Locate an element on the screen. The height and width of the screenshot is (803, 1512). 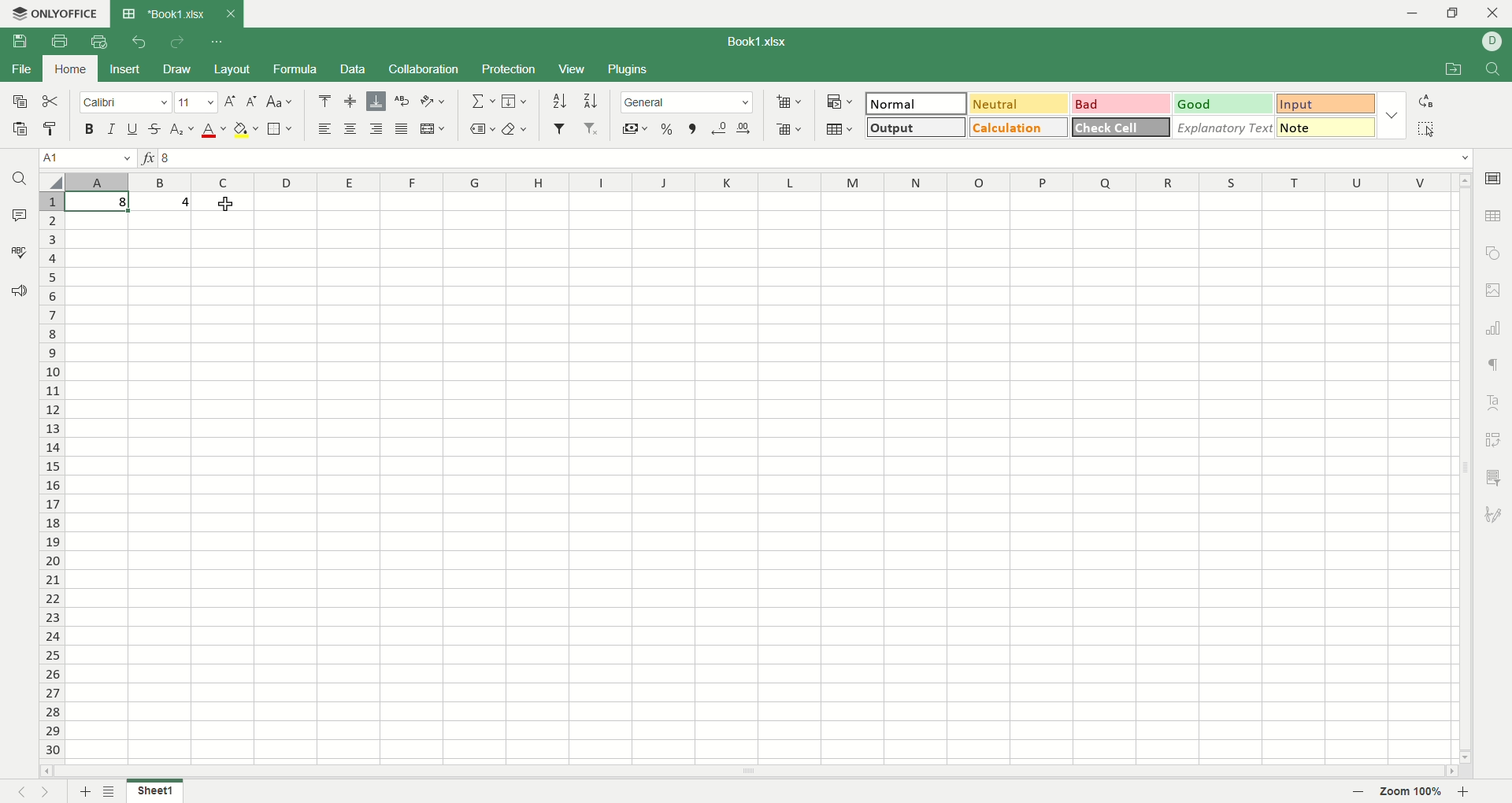
align left is located at coordinates (375, 130).